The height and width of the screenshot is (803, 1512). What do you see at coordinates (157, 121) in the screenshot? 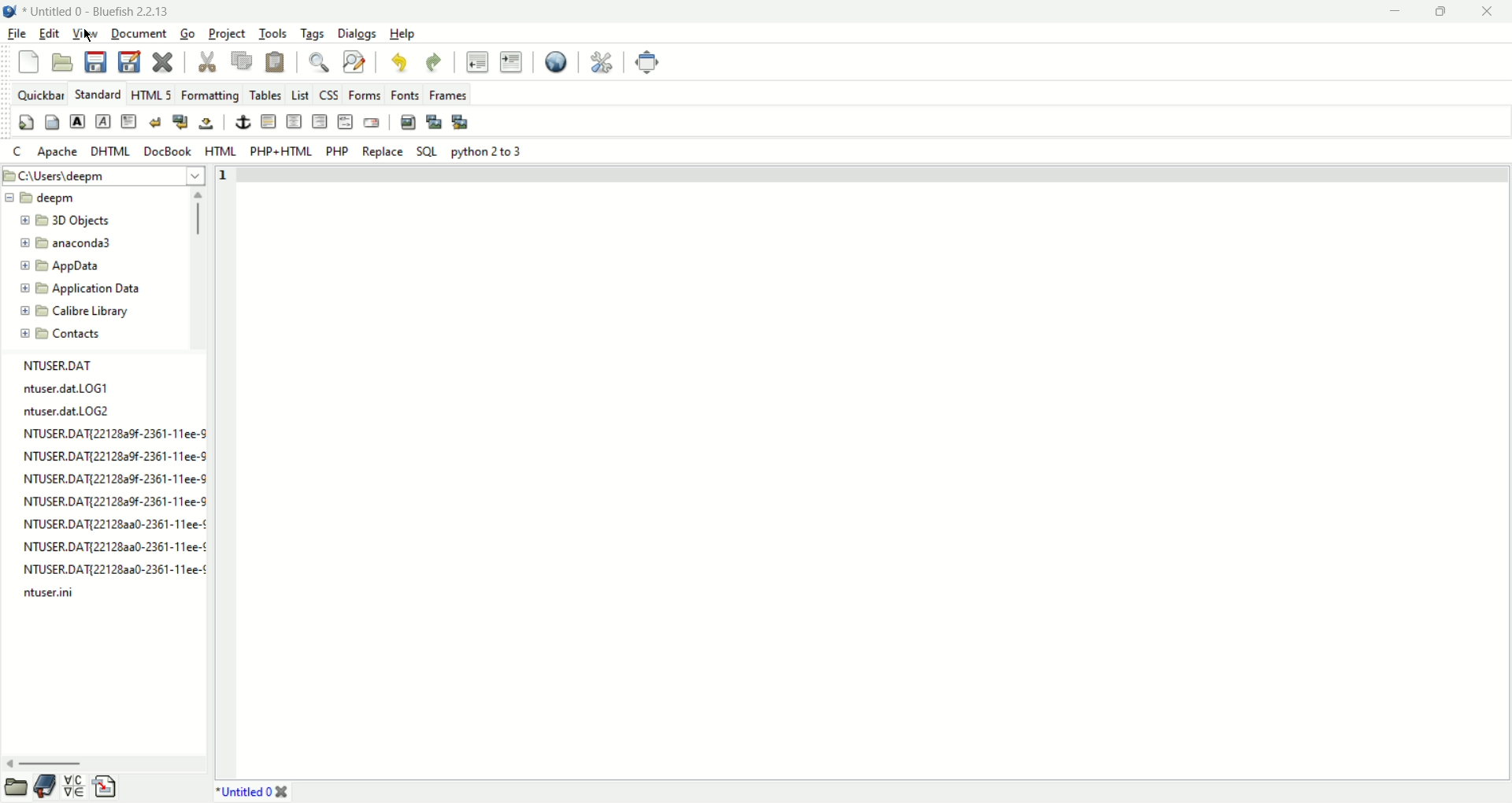
I see `break` at bounding box center [157, 121].